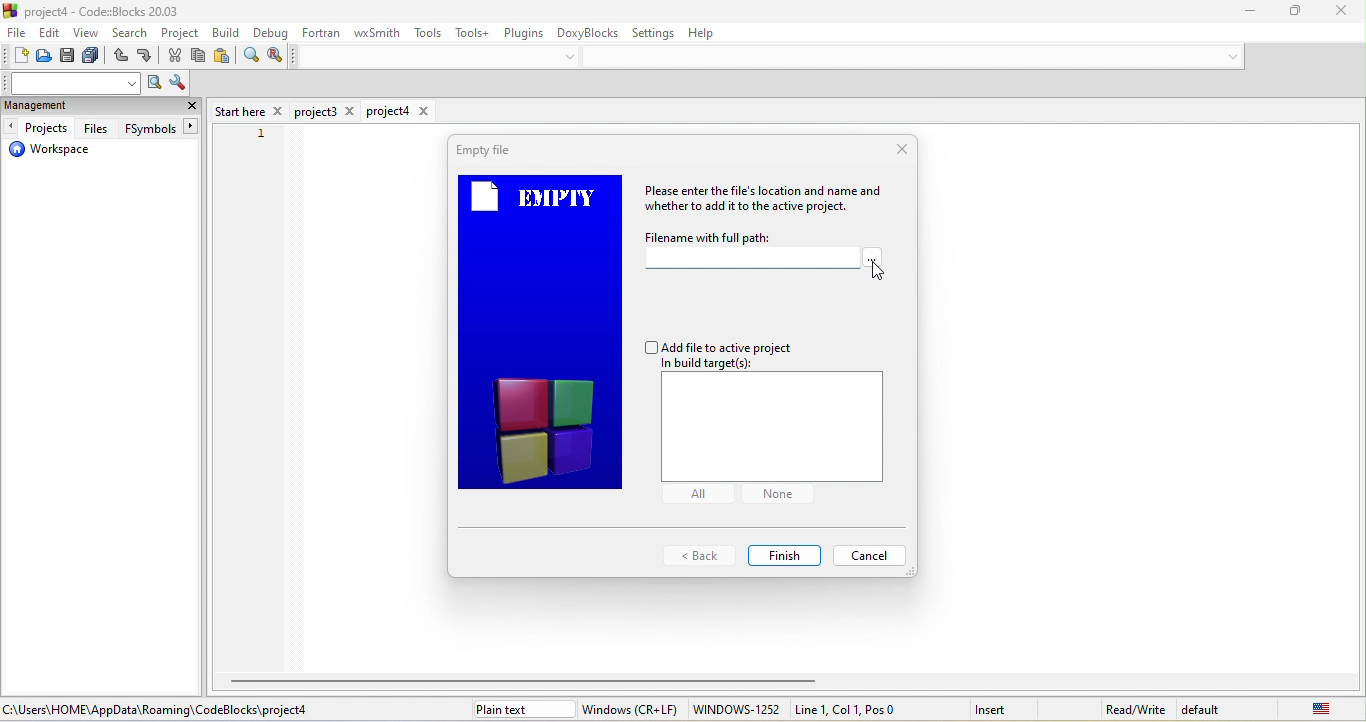  I want to click on united state, so click(1307, 708).